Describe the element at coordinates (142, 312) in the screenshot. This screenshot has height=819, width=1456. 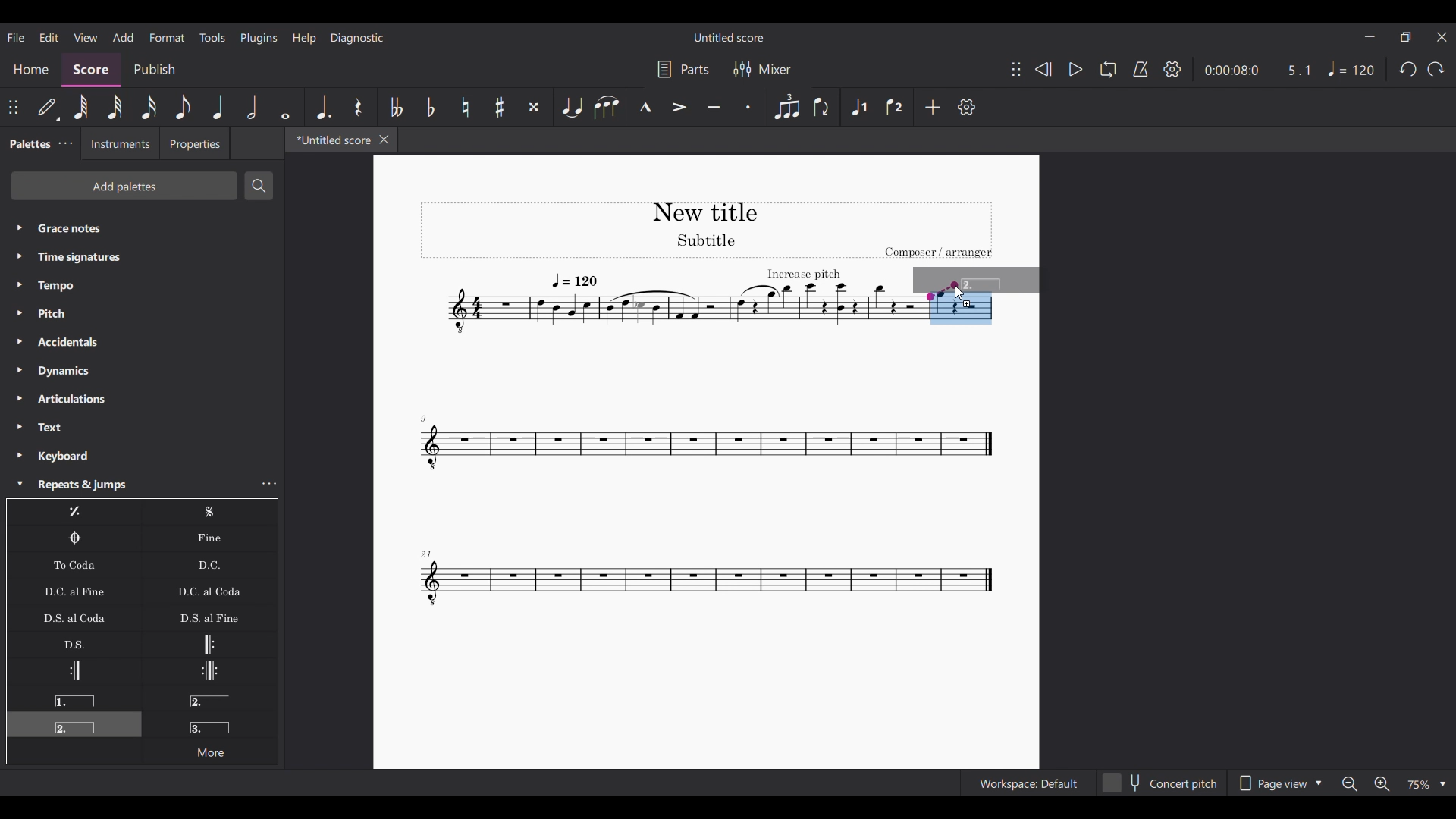
I see `Pitch` at that location.